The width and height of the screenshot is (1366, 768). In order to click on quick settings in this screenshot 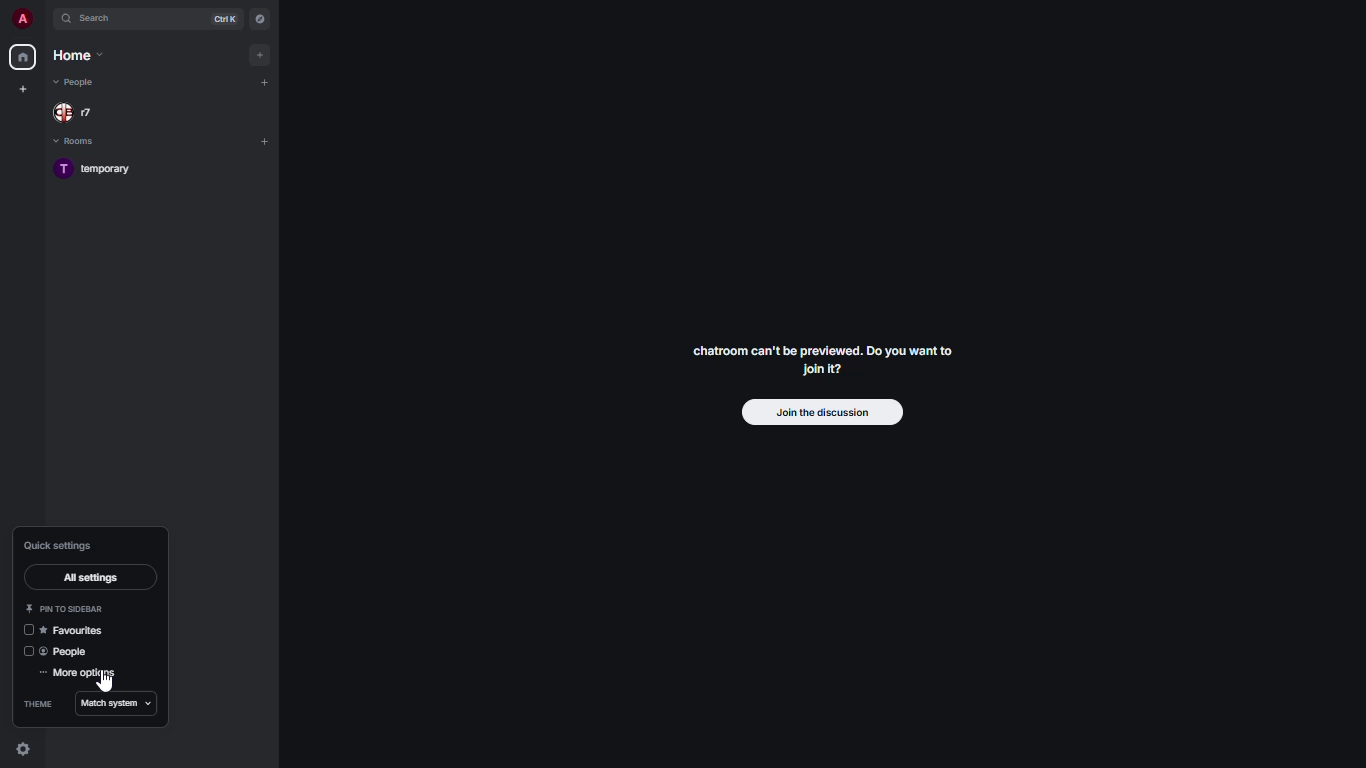, I will do `click(24, 749)`.